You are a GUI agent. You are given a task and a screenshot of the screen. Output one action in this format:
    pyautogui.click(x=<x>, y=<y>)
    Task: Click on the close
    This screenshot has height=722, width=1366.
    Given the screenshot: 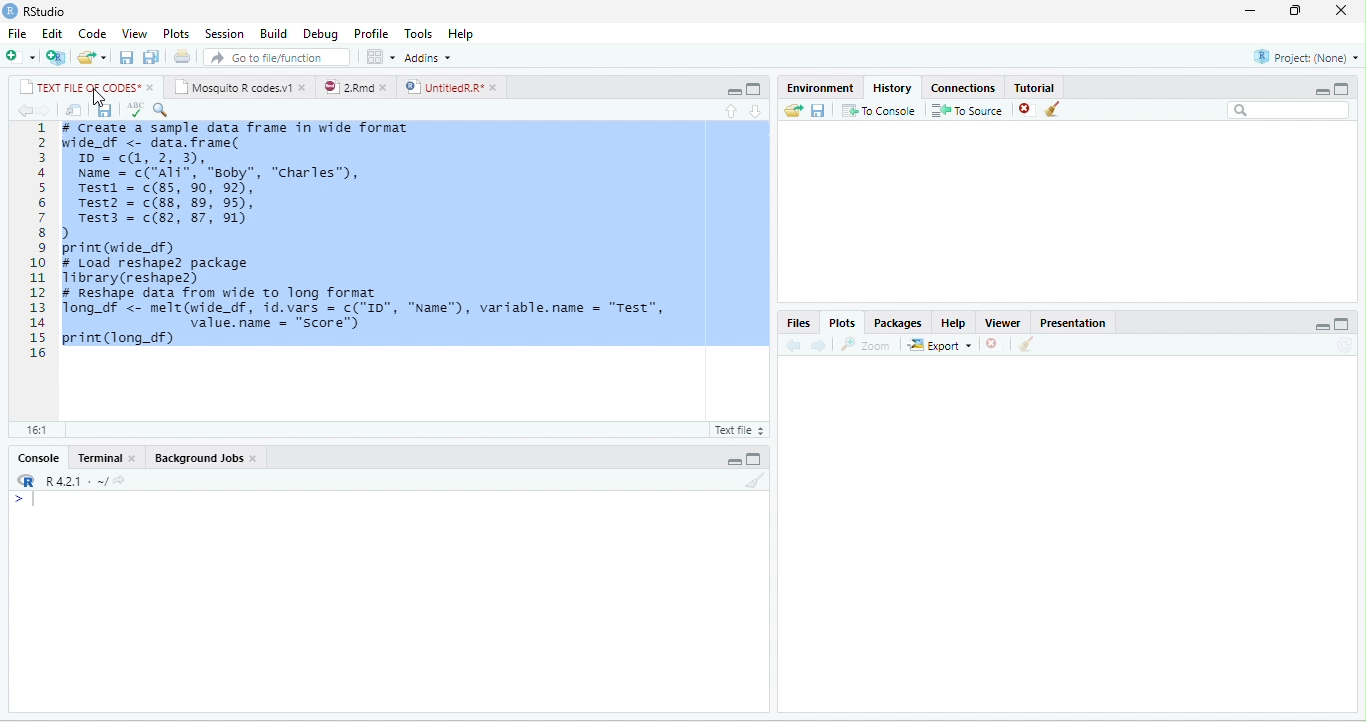 What is the action you would take?
    pyautogui.click(x=152, y=88)
    